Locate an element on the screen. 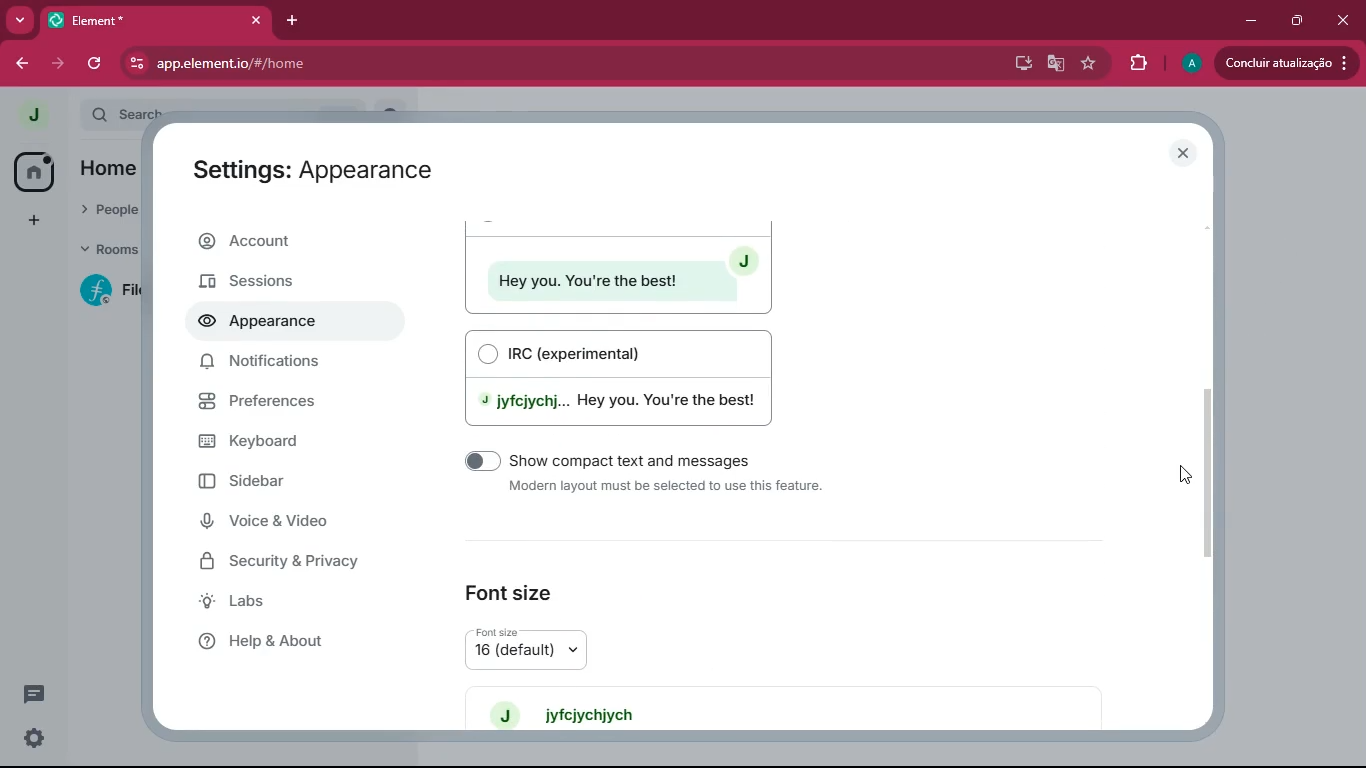 The width and height of the screenshot is (1366, 768). help is located at coordinates (289, 640).